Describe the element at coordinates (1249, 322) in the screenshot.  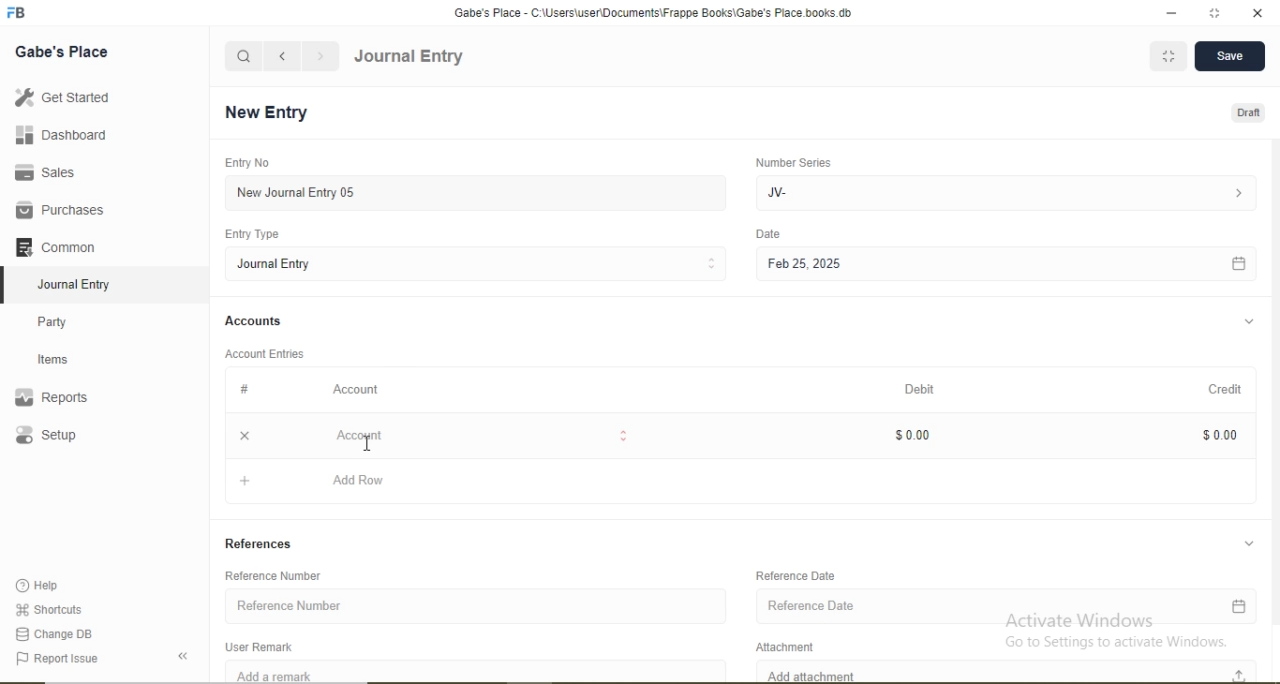
I see `collapse/expand` at that location.